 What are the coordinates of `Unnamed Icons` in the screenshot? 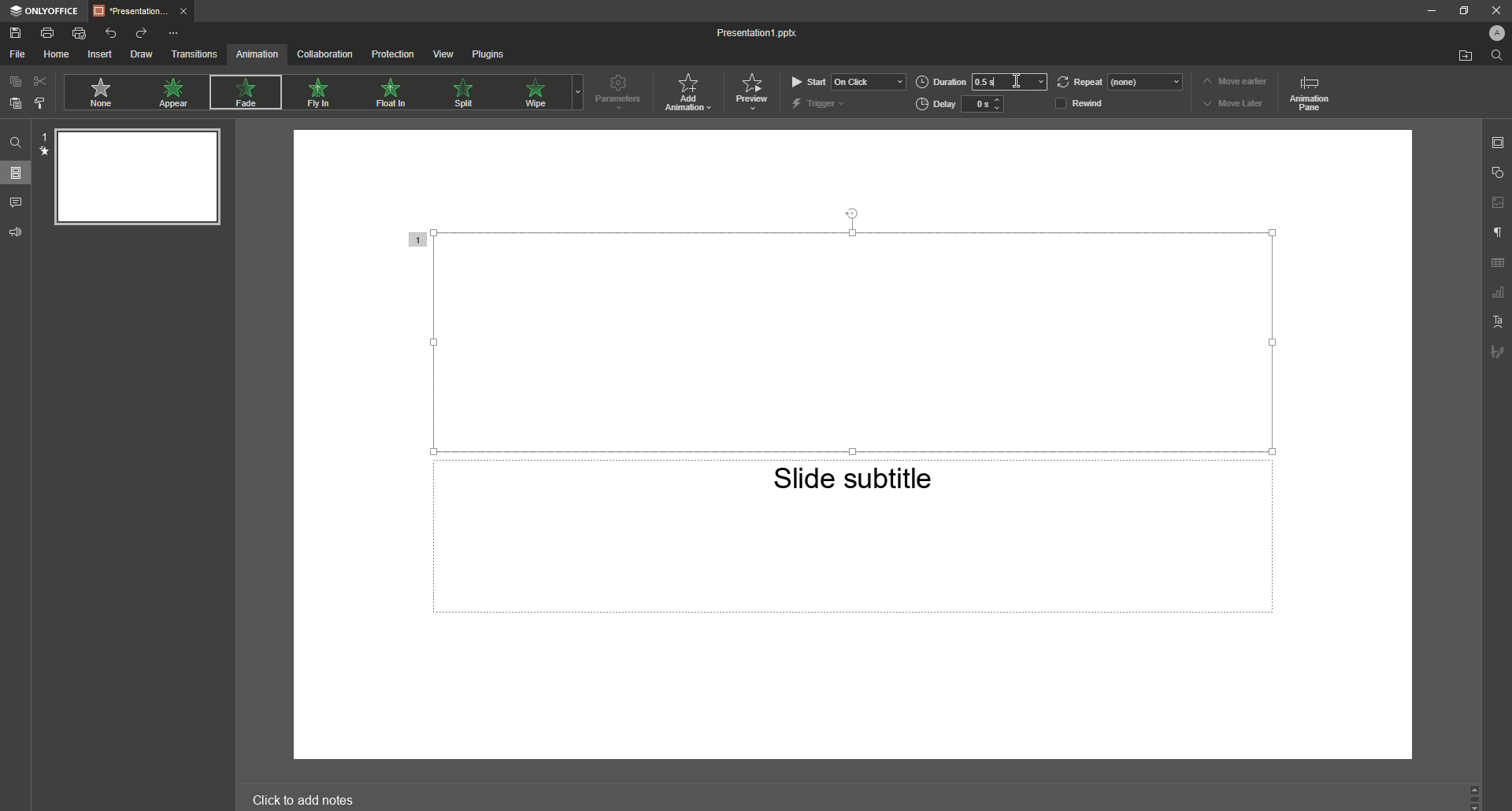 It's located at (1498, 263).